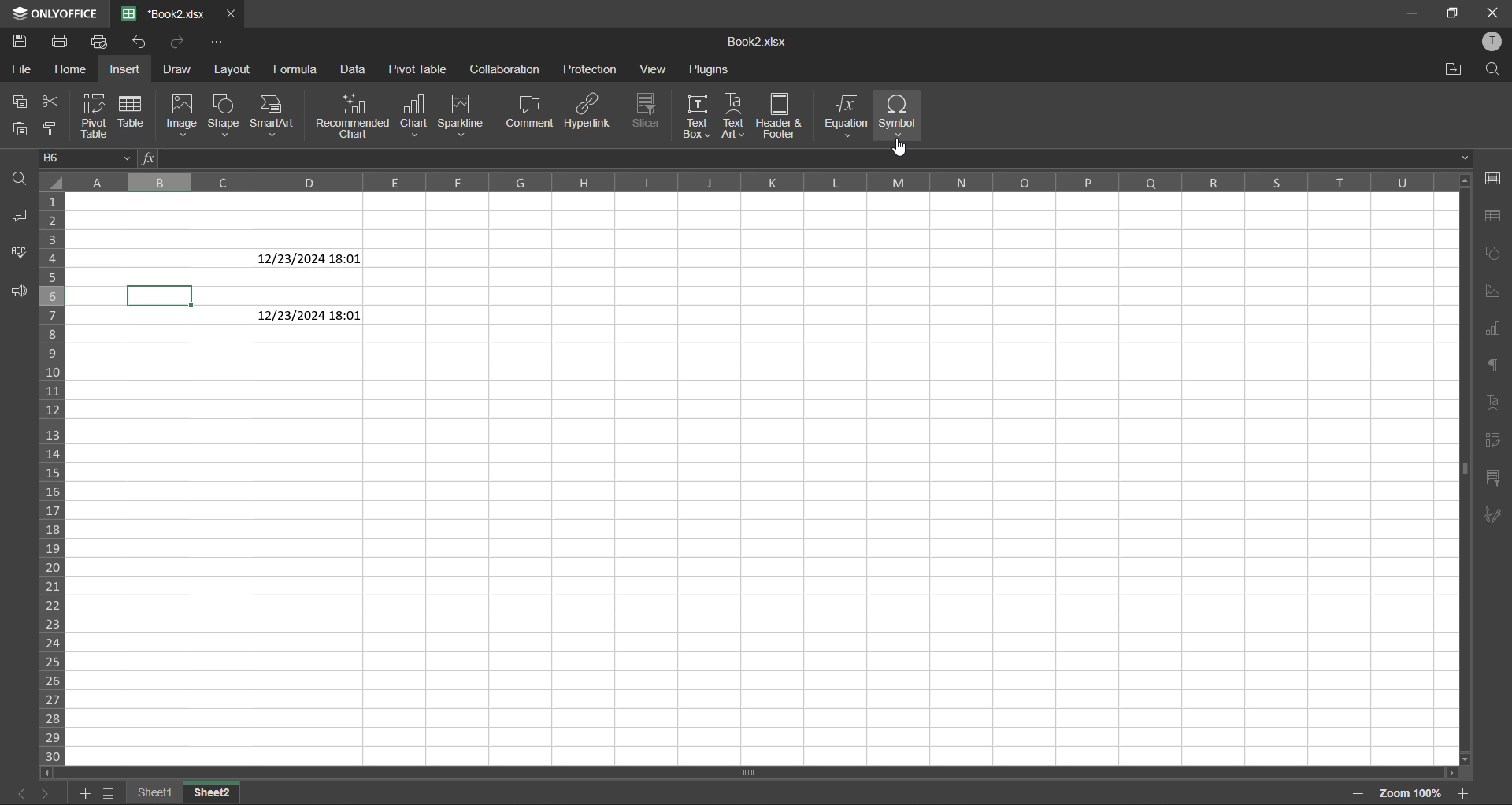 This screenshot has width=1512, height=805. Describe the element at coordinates (702, 117) in the screenshot. I see `text box` at that location.